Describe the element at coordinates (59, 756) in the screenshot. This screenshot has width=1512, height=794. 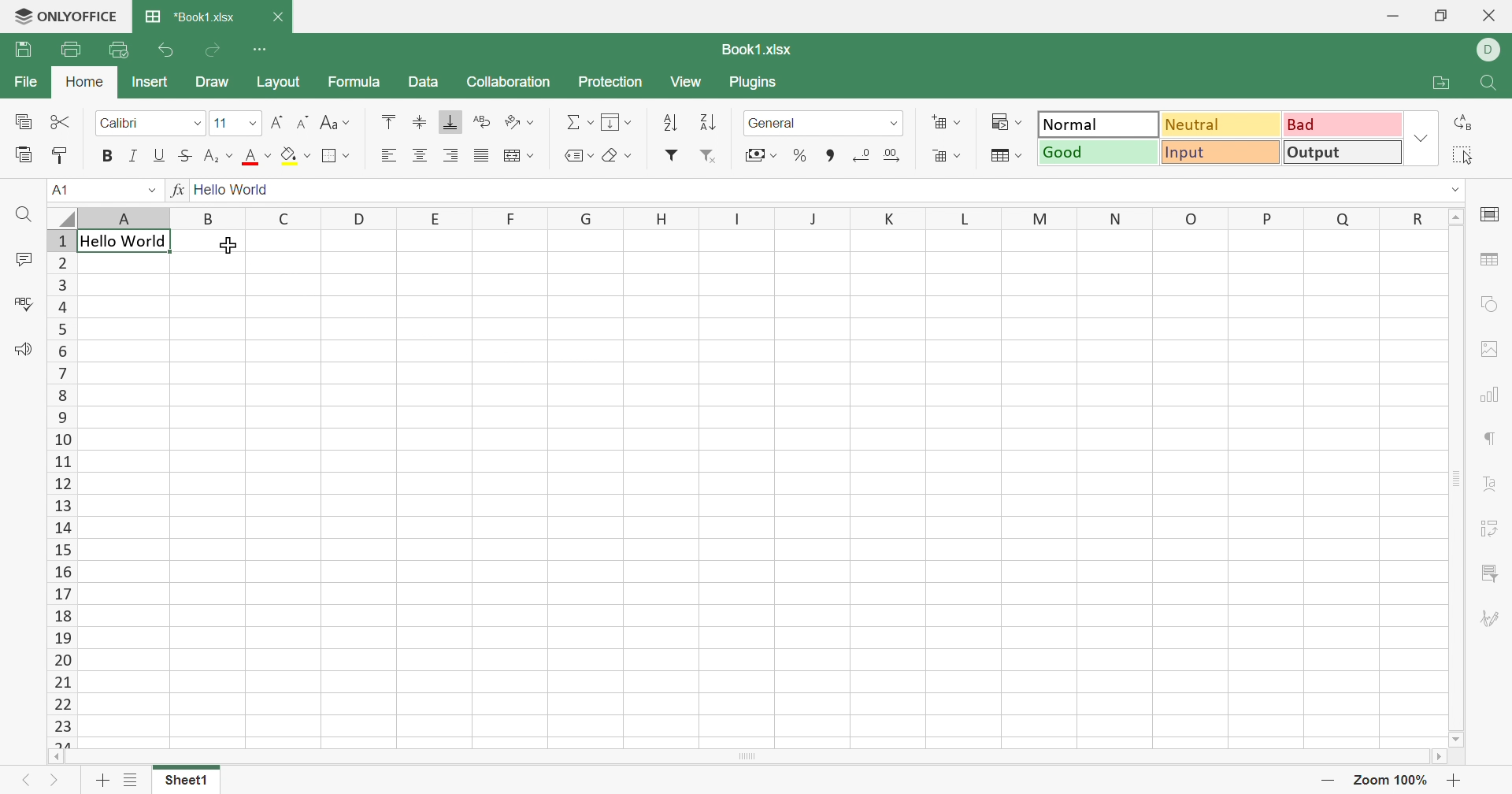
I see `Scroll Left` at that location.